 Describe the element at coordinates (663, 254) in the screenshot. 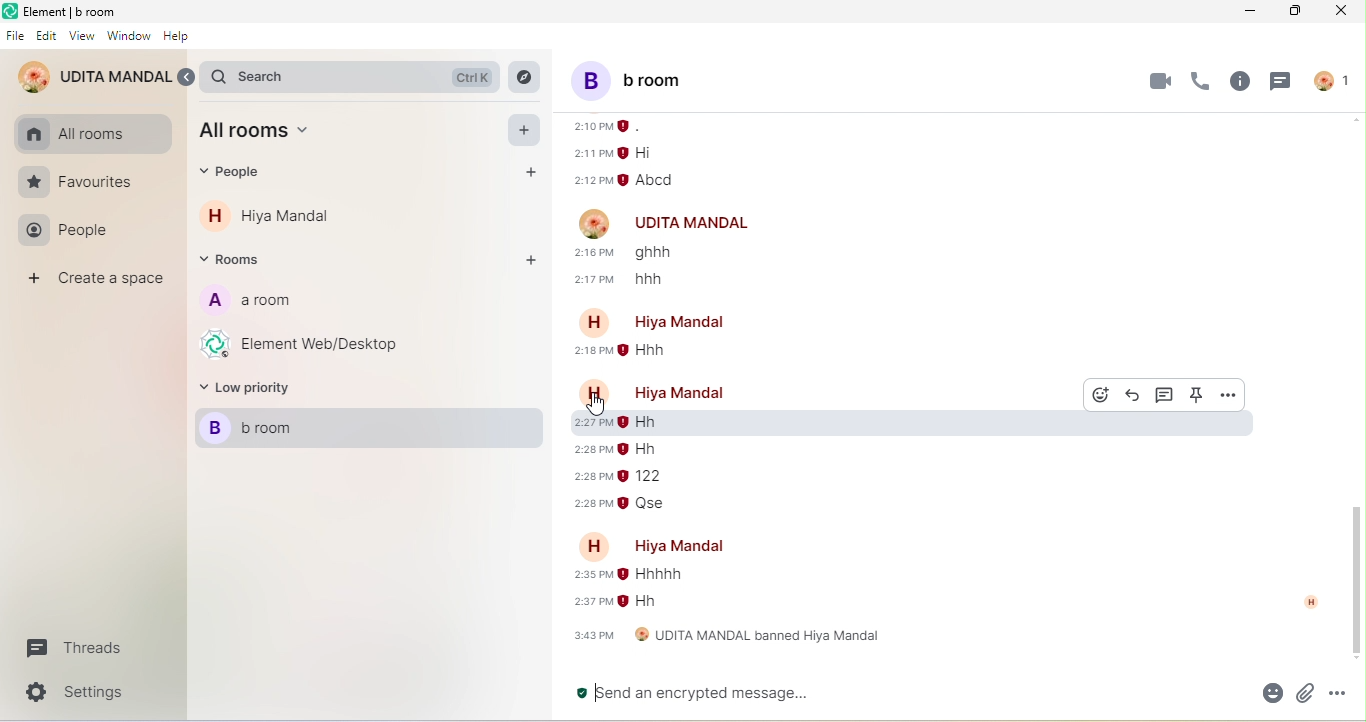

I see `ghhh-older message from udita` at that location.